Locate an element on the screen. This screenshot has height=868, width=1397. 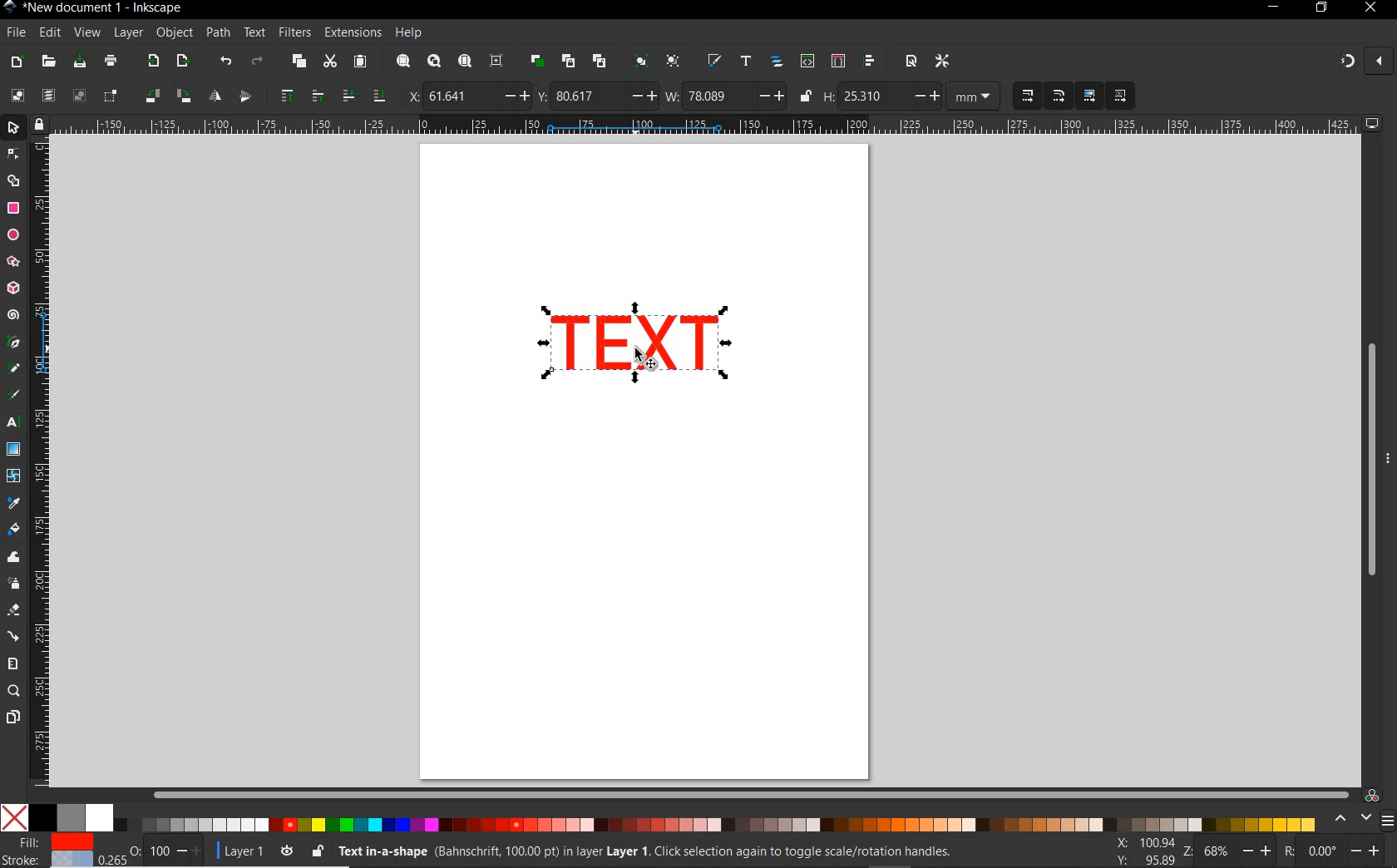
unlink code is located at coordinates (596, 61).